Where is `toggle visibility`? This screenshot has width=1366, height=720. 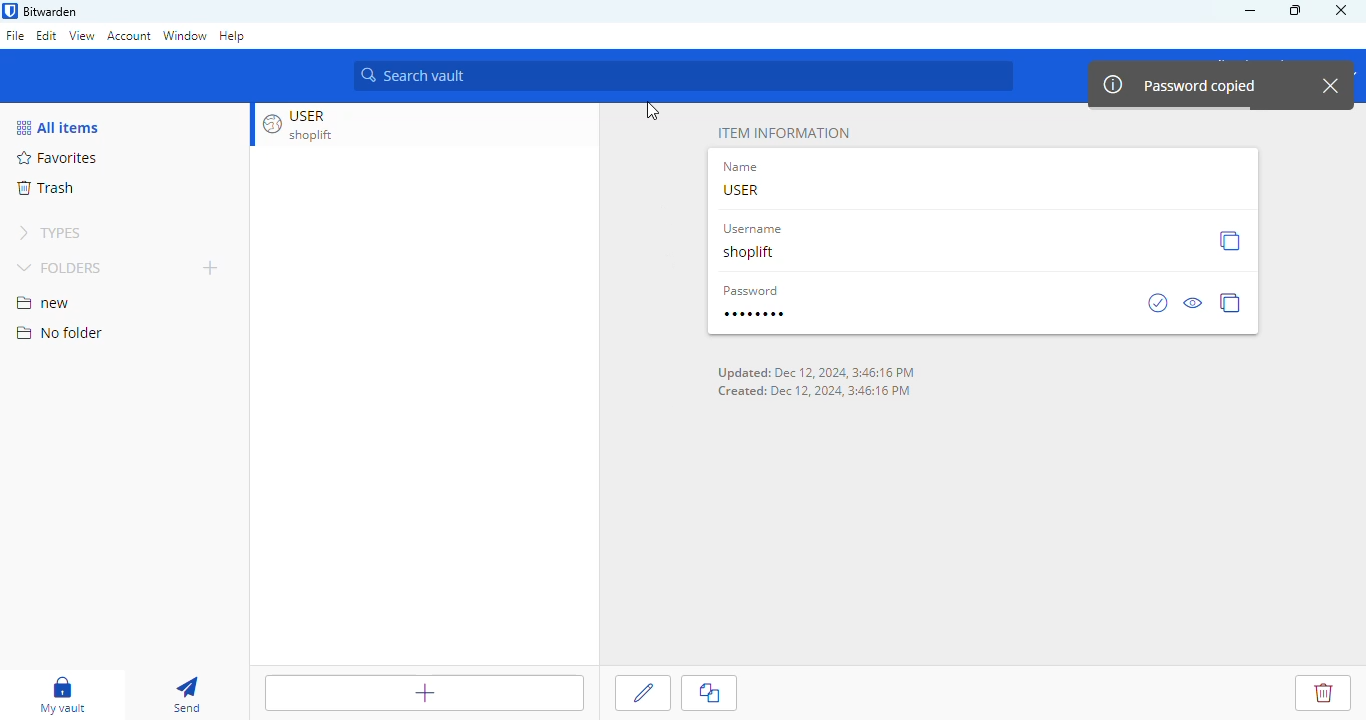 toggle visibility is located at coordinates (1194, 303).